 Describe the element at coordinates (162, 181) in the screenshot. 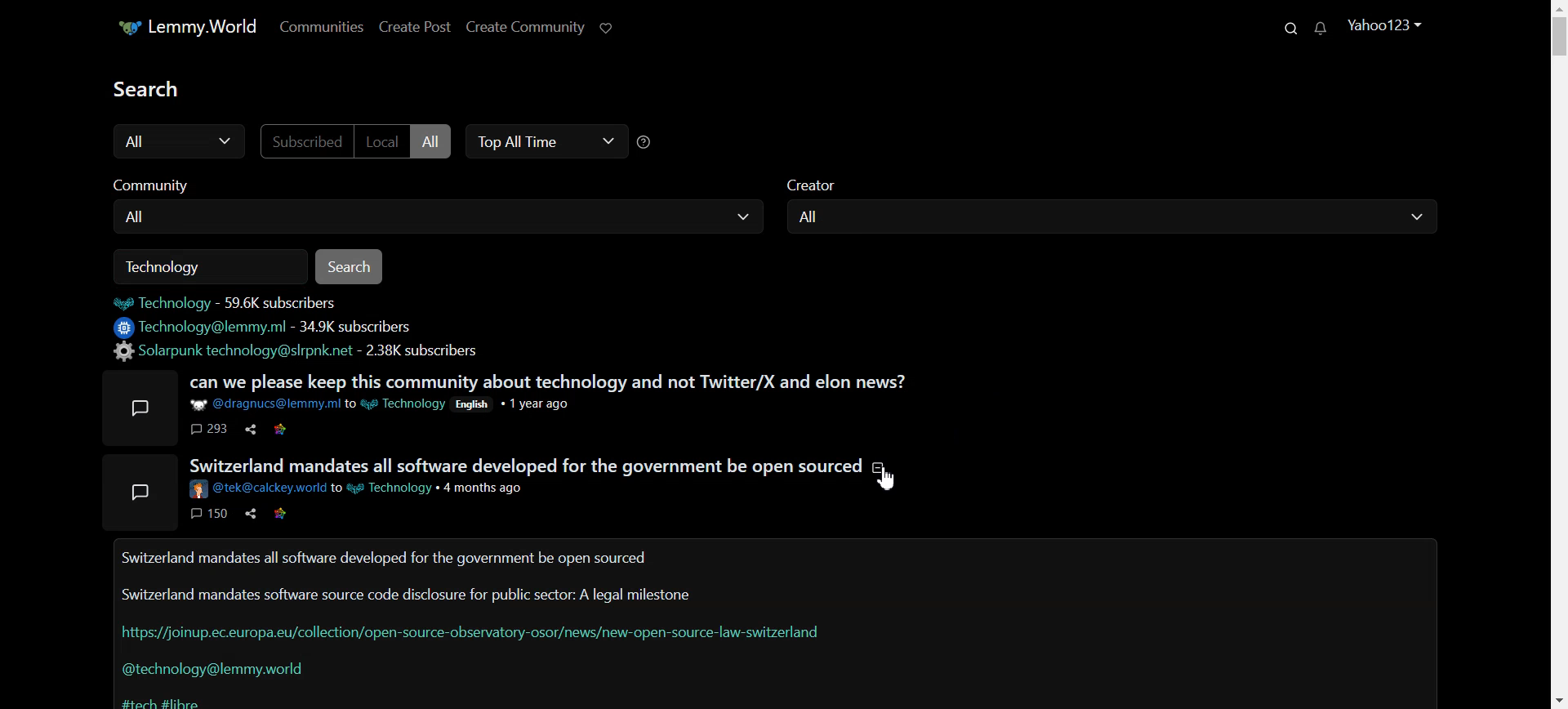

I see `Community` at that location.